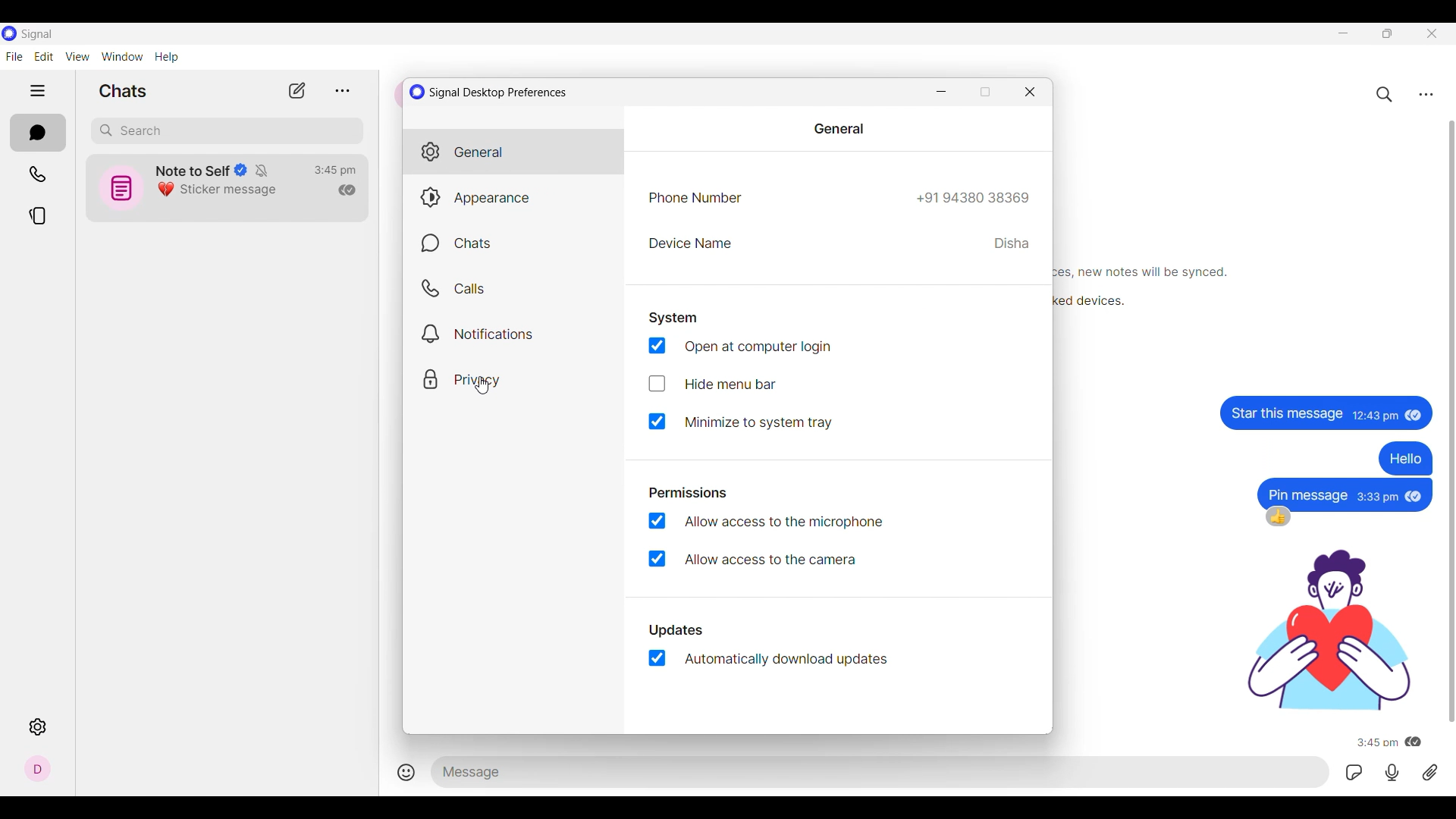 The height and width of the screenshot is (819, 1456). What do you see at coordinates (122, 57) in the screenshot?
I see `Window menu` at bounding box center [122, 57].